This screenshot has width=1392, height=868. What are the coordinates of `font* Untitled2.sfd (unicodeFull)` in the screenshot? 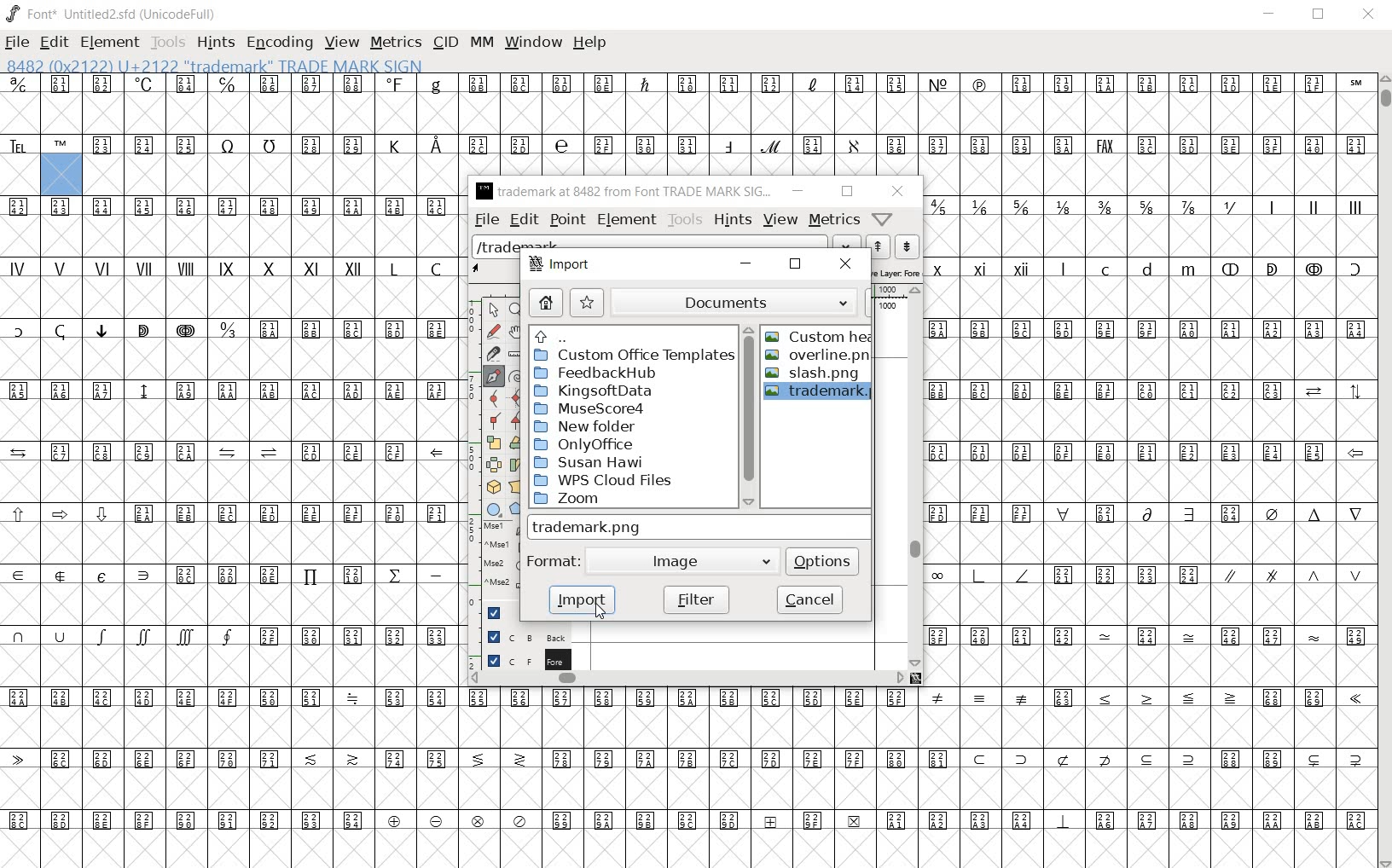 It's located at (110, 14).